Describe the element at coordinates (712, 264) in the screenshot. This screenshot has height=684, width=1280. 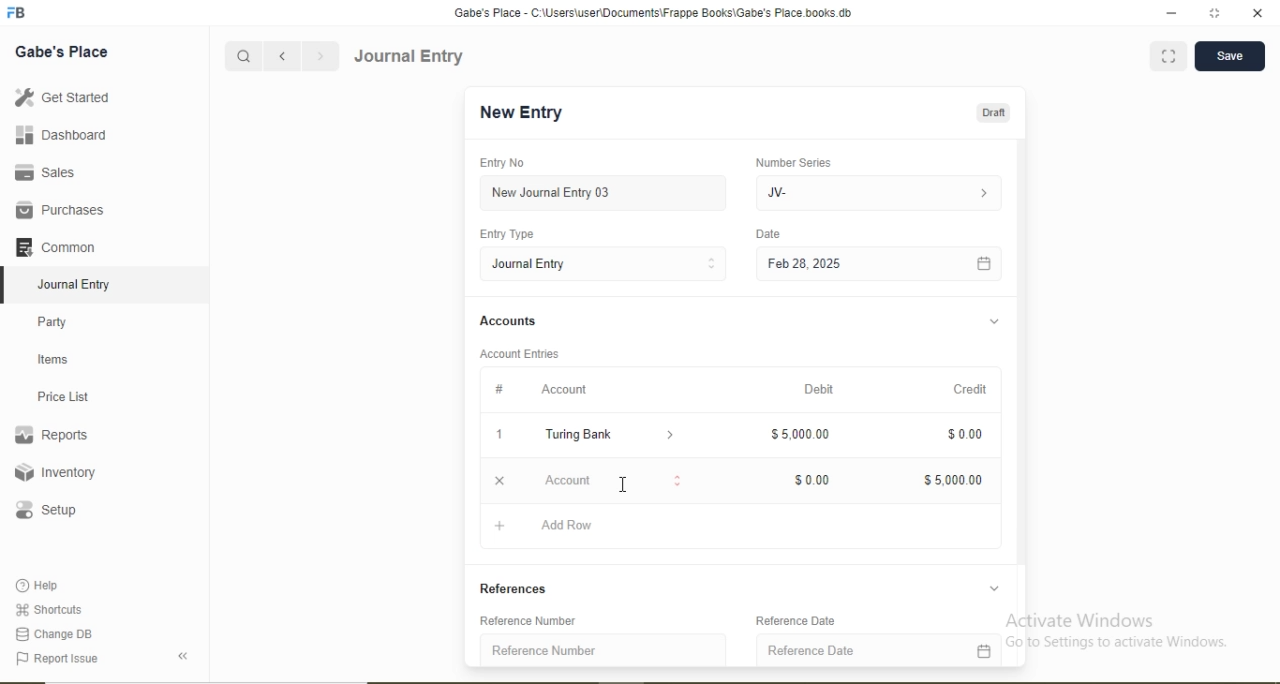
I see `Stepper Buttons` at that location.